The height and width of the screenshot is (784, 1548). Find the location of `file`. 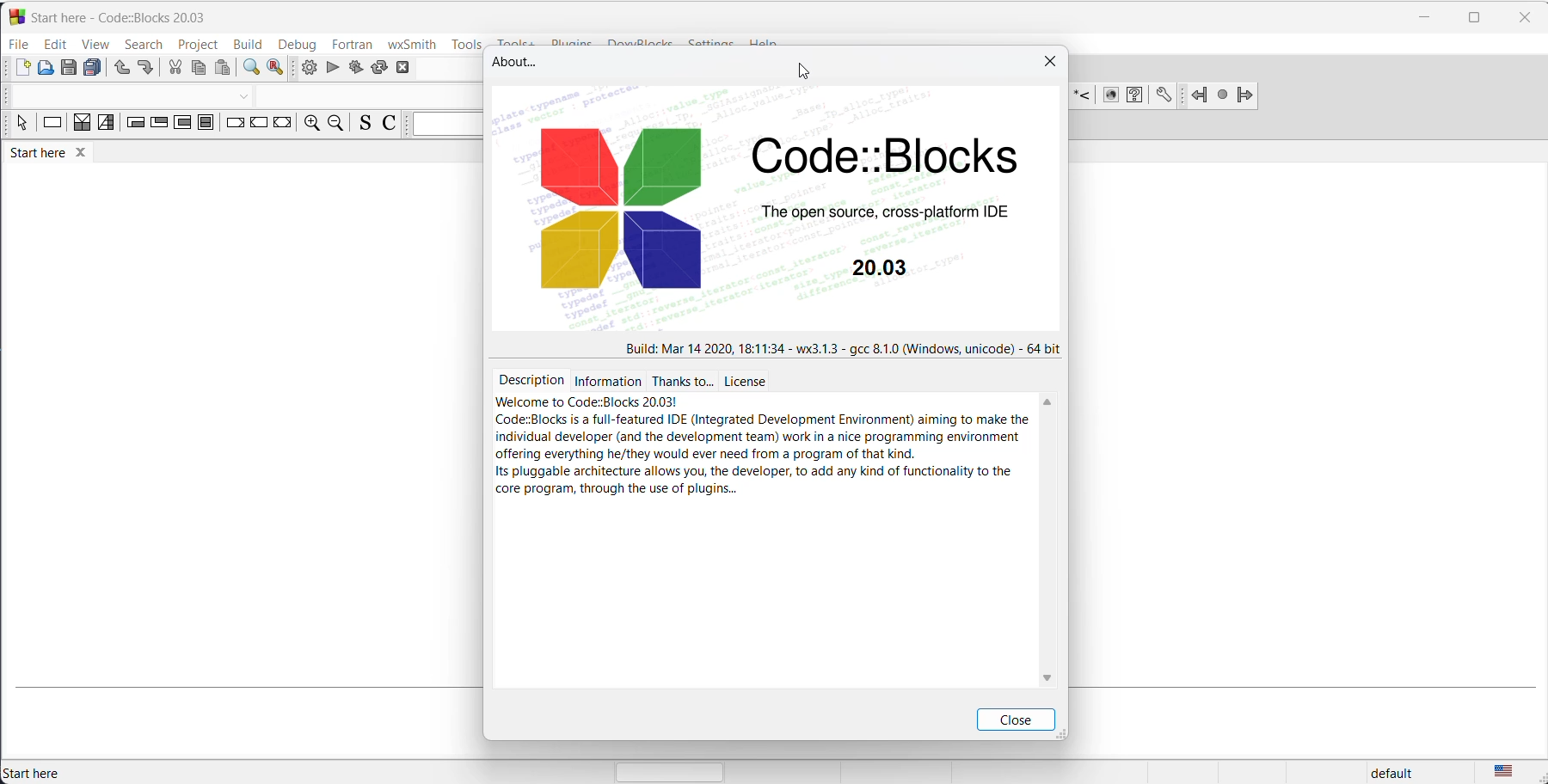

file is located at coordinates (20, 44).